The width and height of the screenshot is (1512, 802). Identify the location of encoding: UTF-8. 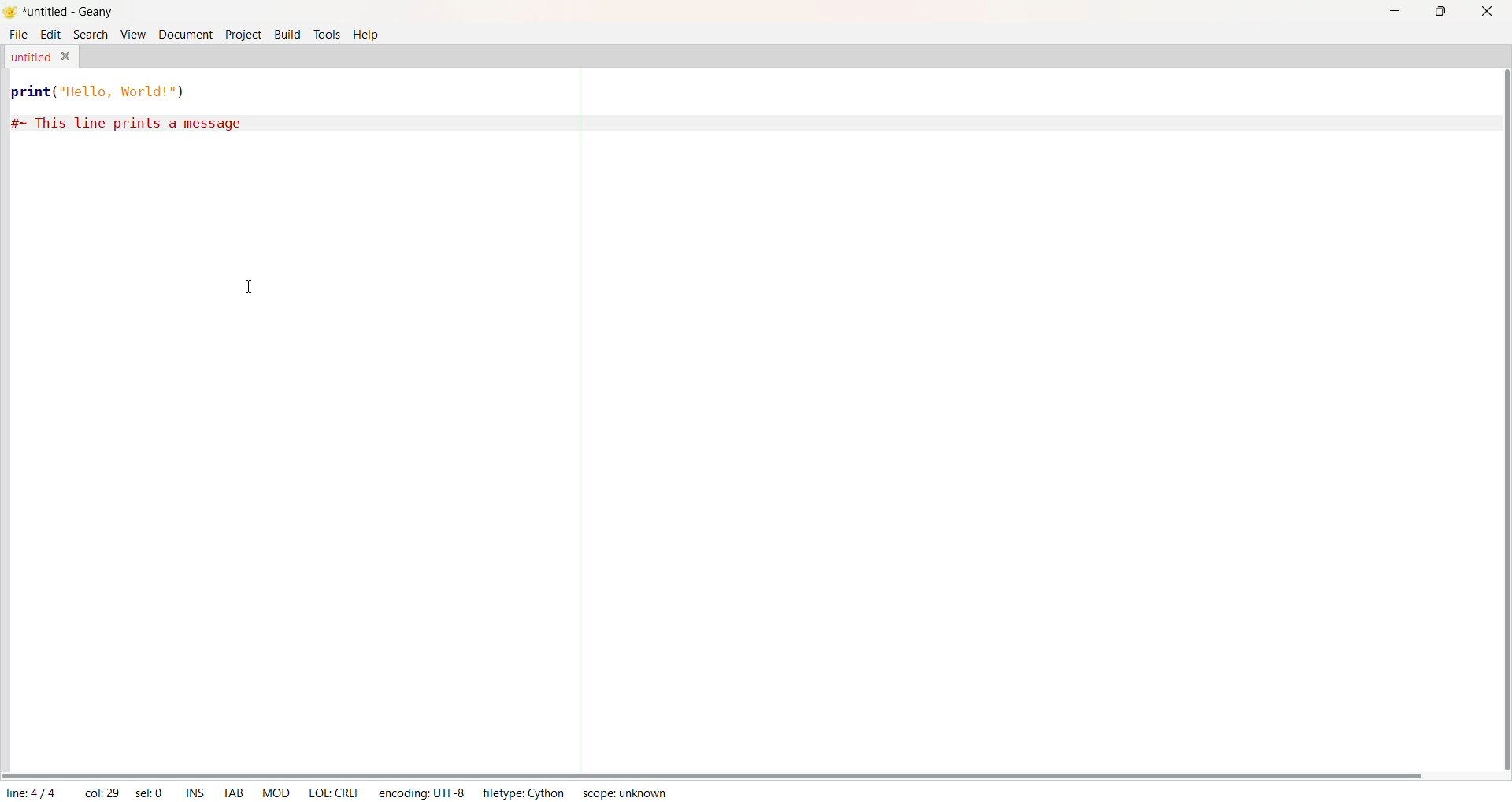
(421, 793).